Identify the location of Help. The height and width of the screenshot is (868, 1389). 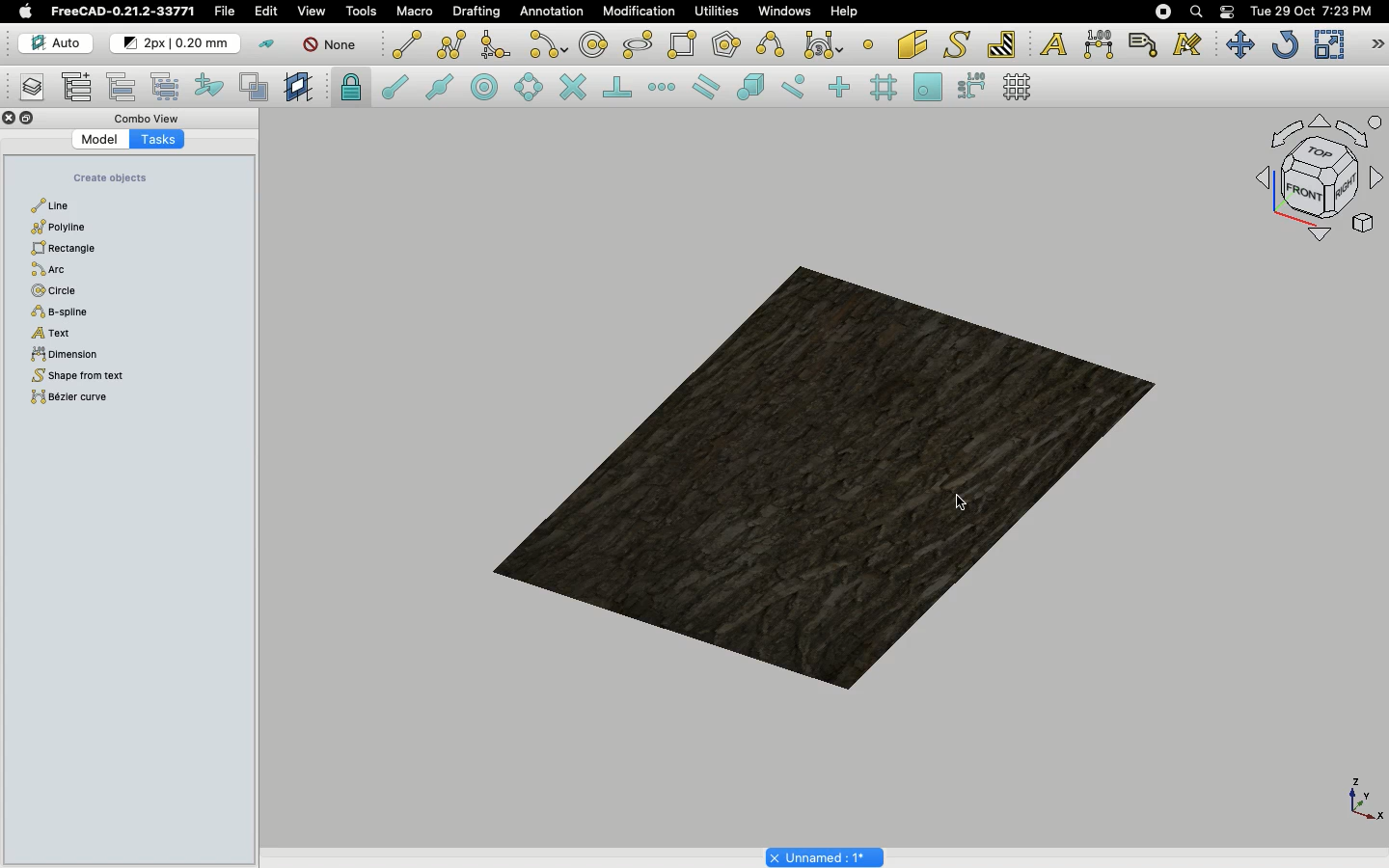
(845, 10).